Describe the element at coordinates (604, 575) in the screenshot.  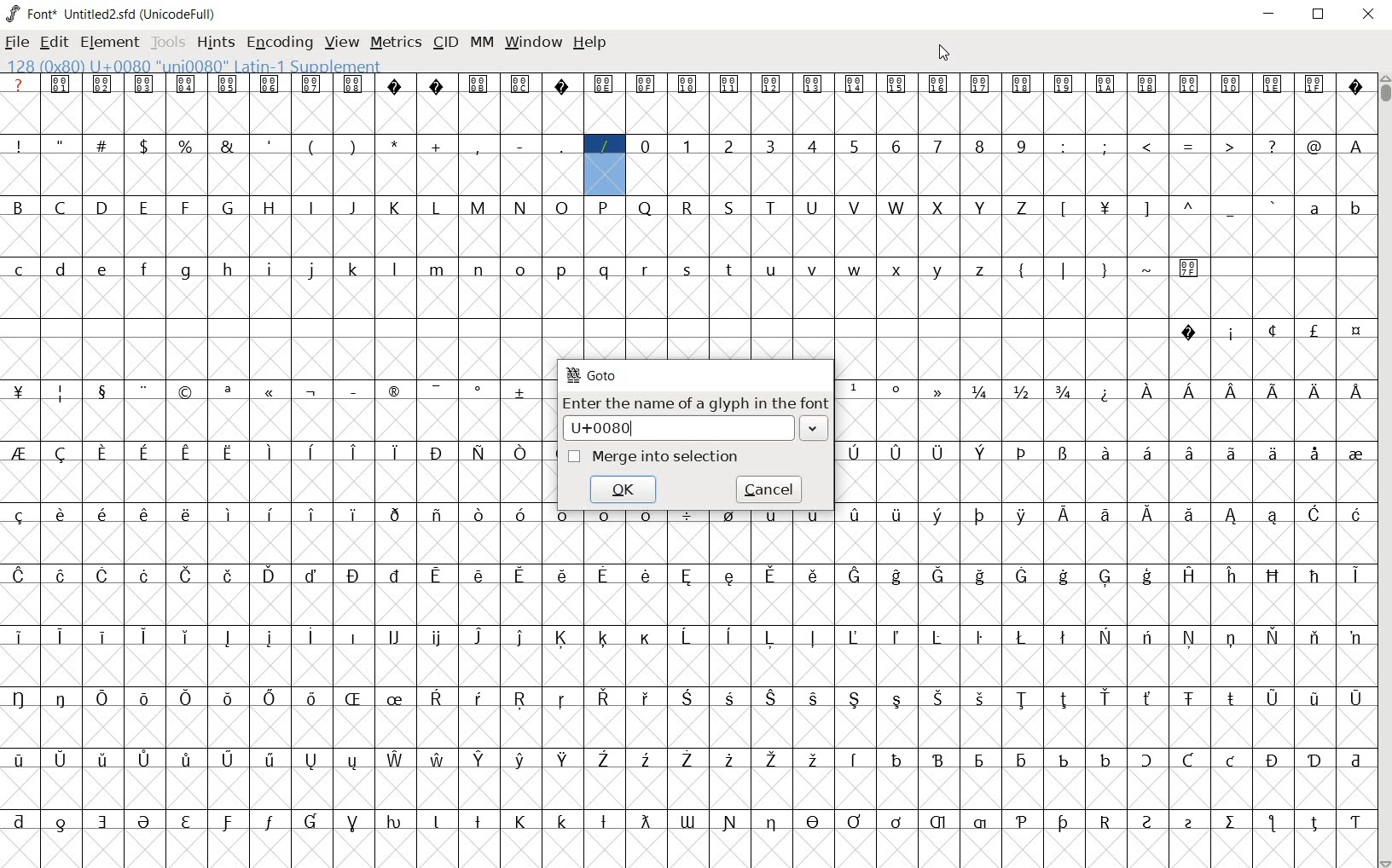
I see `glyph` at that location.